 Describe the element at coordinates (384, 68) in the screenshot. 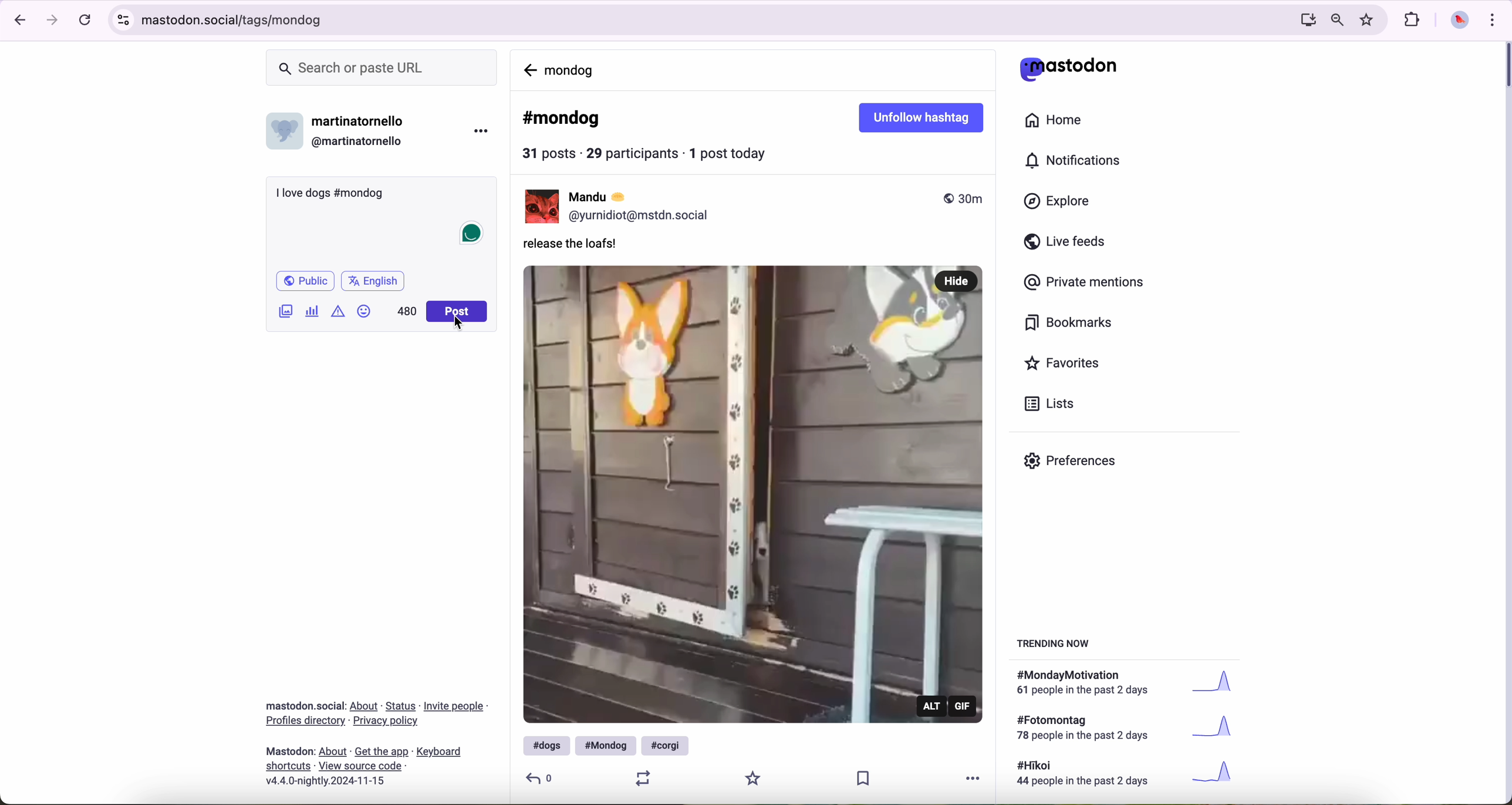

I see `search bar` at that location.